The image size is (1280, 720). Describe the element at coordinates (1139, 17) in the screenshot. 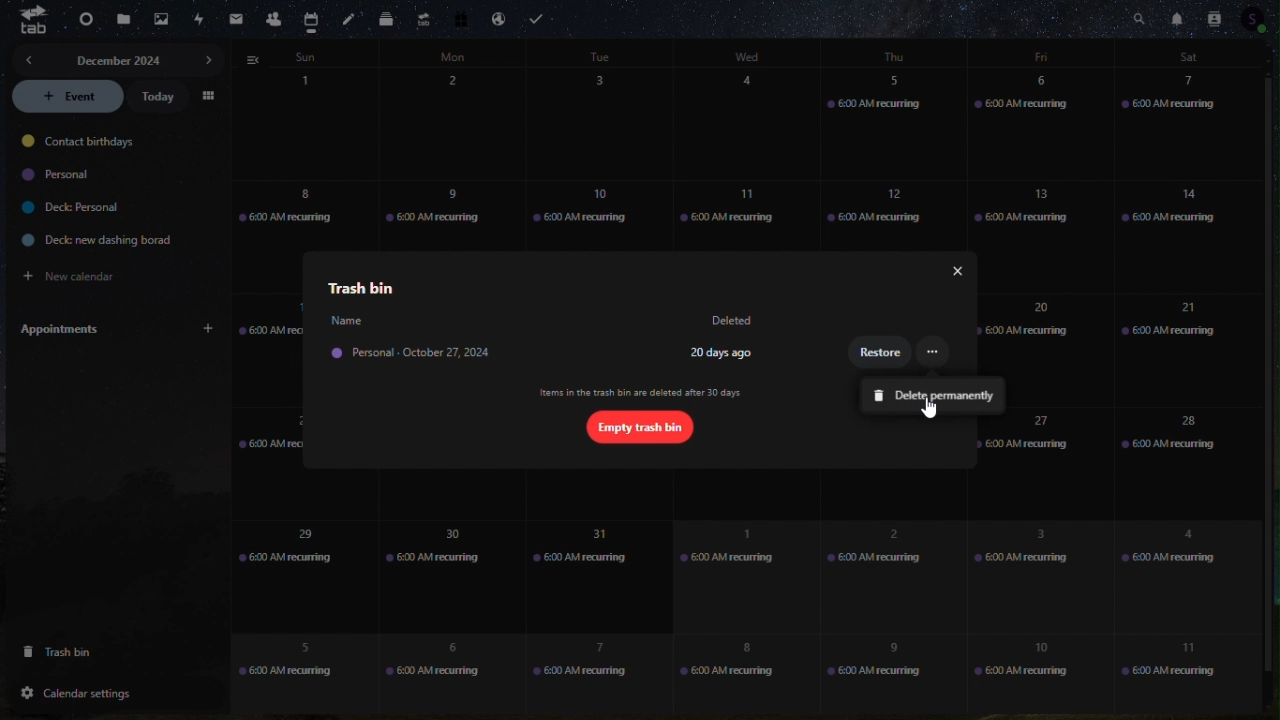

I see `Search` at that location.